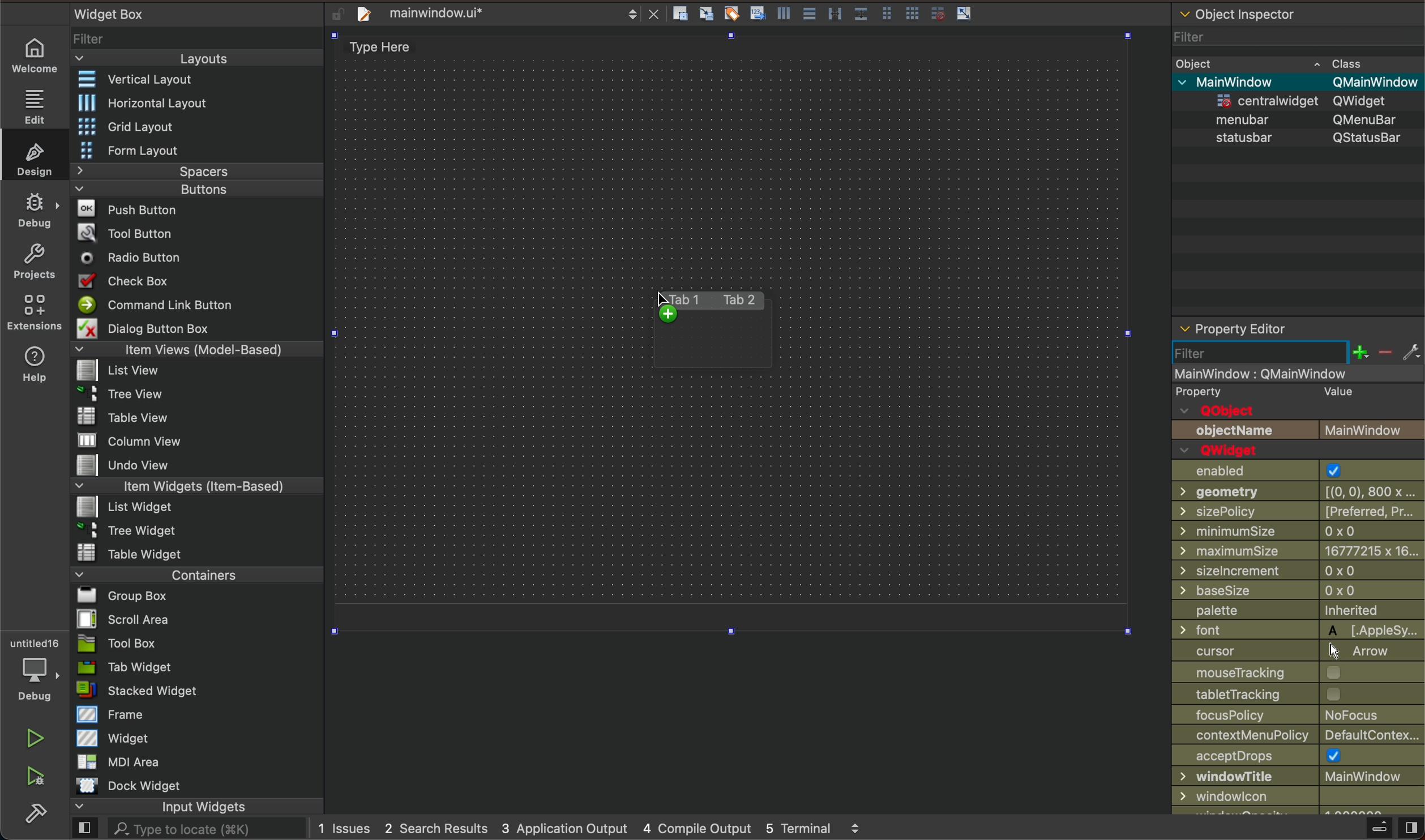 This screenshot has width=1425, height=840. Describe the element at coordinates (1300, 491) in the screenshot. I see `geometry` at that location.